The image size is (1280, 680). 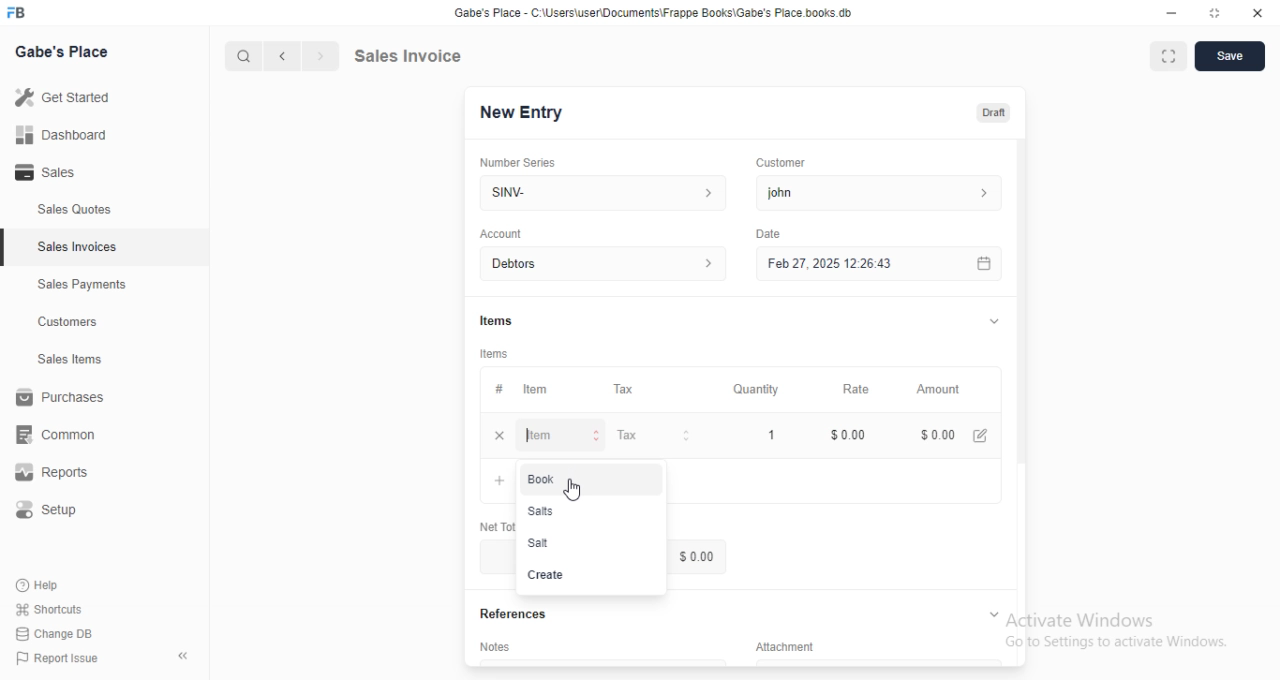 I want to click on common, so click(x=57, y=436).